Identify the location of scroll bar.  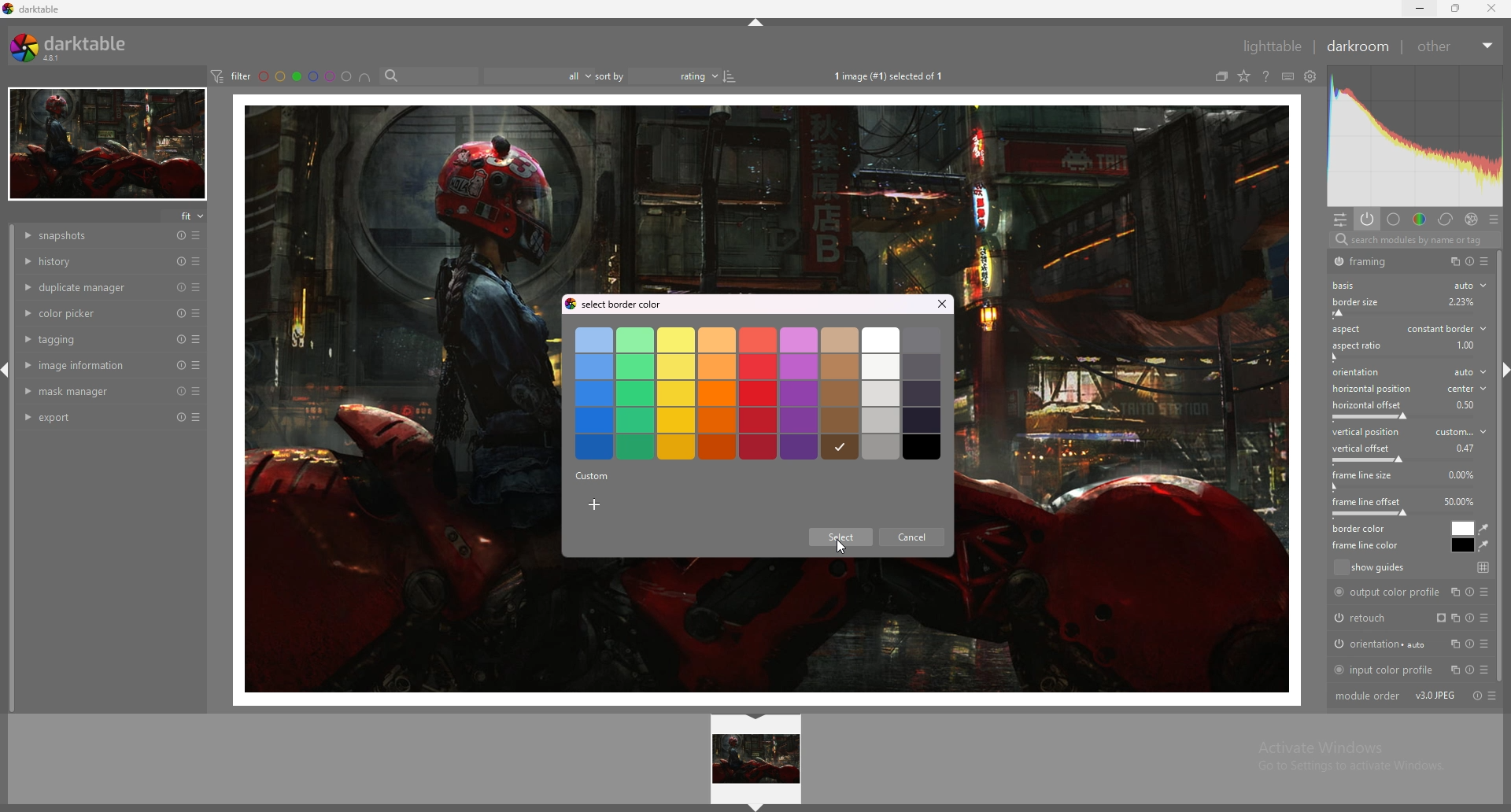
(1502, 467).